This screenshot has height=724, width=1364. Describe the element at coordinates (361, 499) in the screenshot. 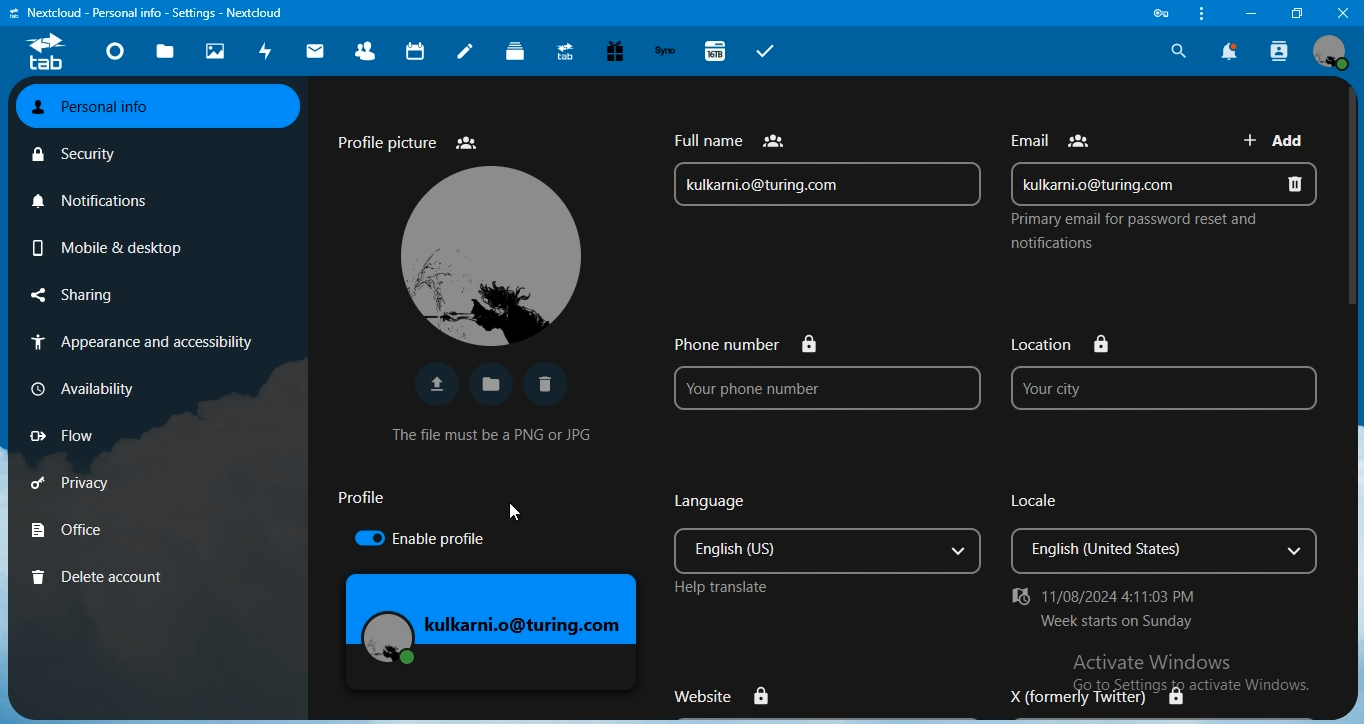

I see `Profile` at that location.